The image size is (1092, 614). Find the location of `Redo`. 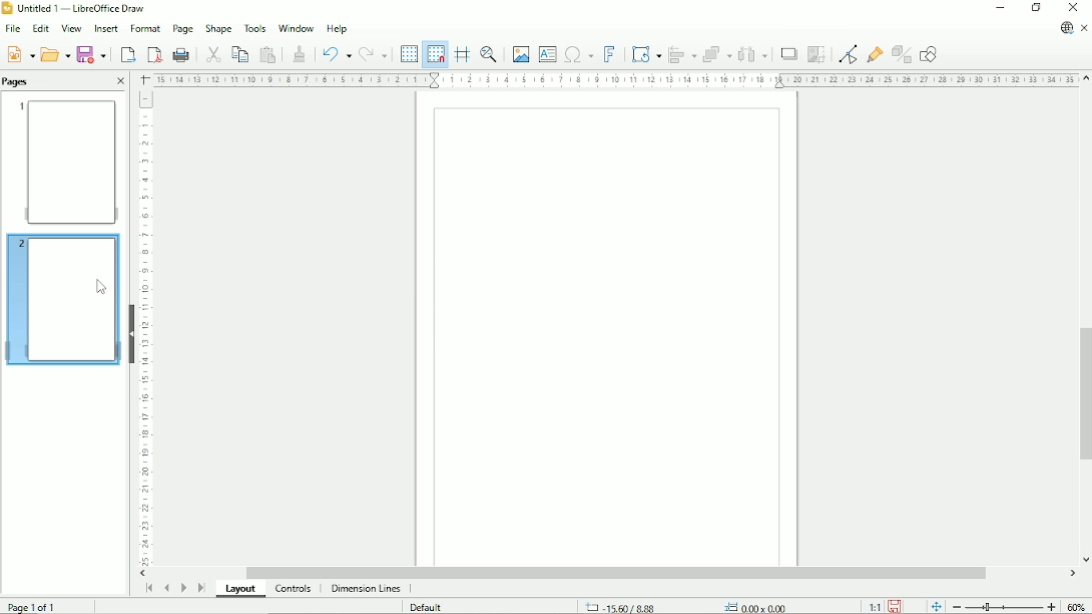

Redo is located at coordinates (373, 55).